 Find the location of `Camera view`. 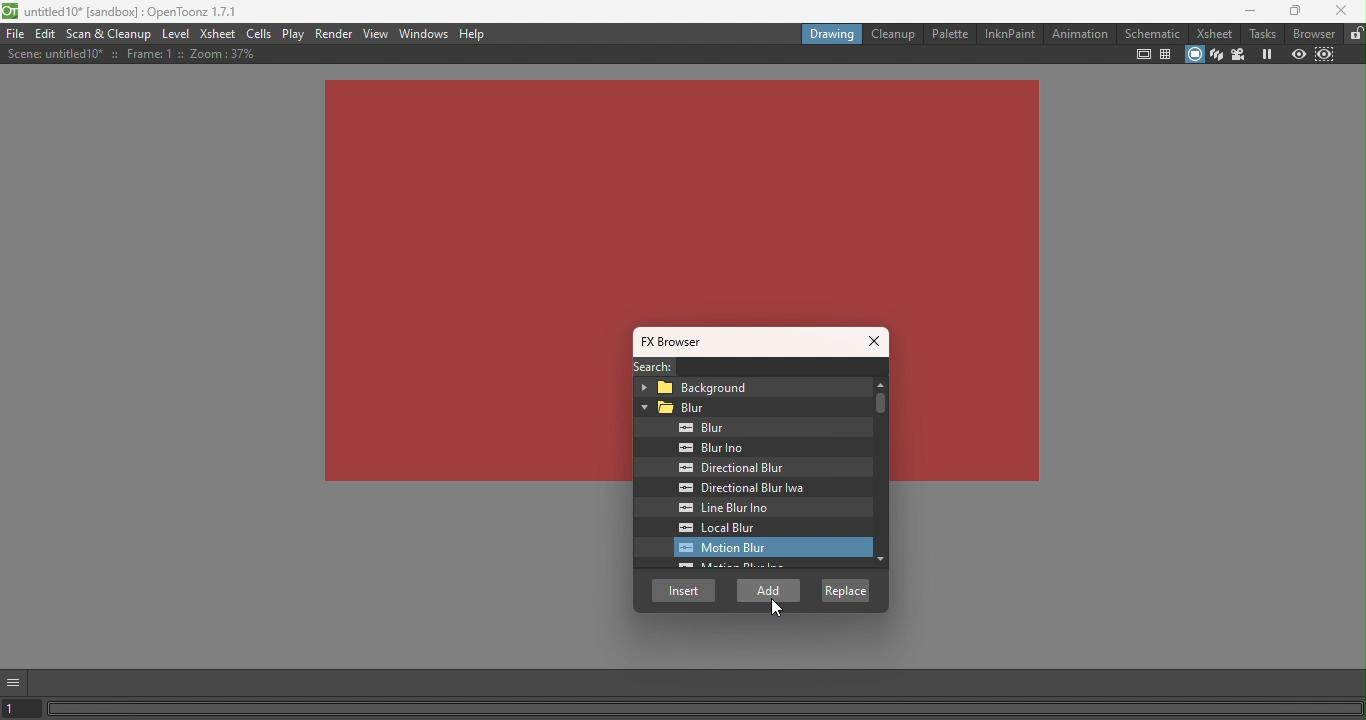

Camera view is located at coordinates (1240, 53).